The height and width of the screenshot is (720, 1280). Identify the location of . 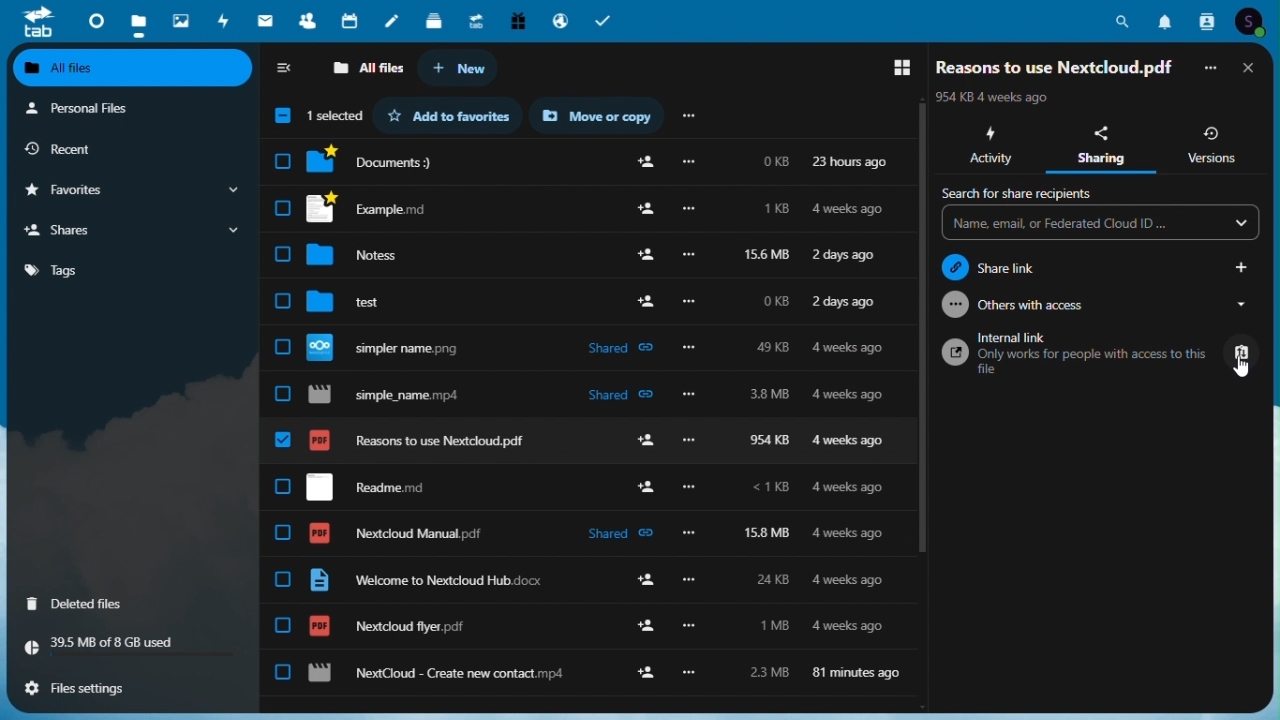
(689, 395).